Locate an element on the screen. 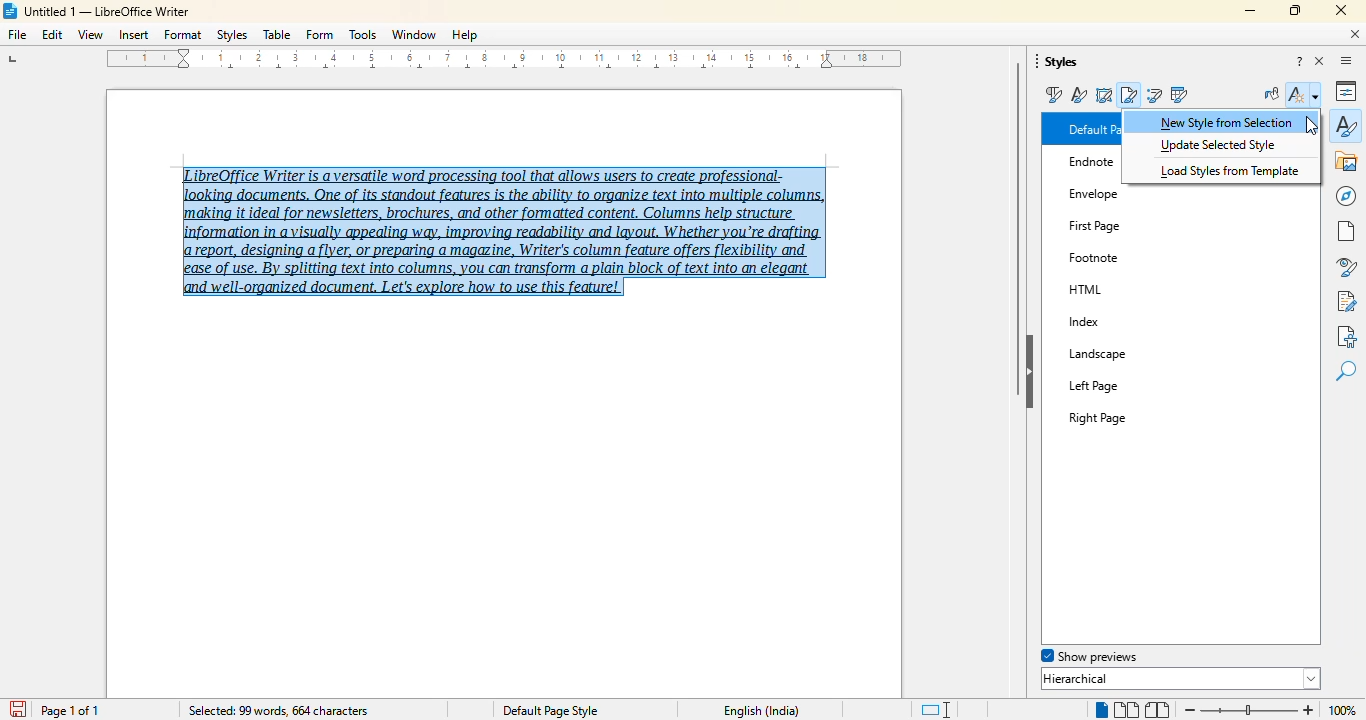 The image size is (1366, 720).  Endnote is located at coordinates (1090, 163).